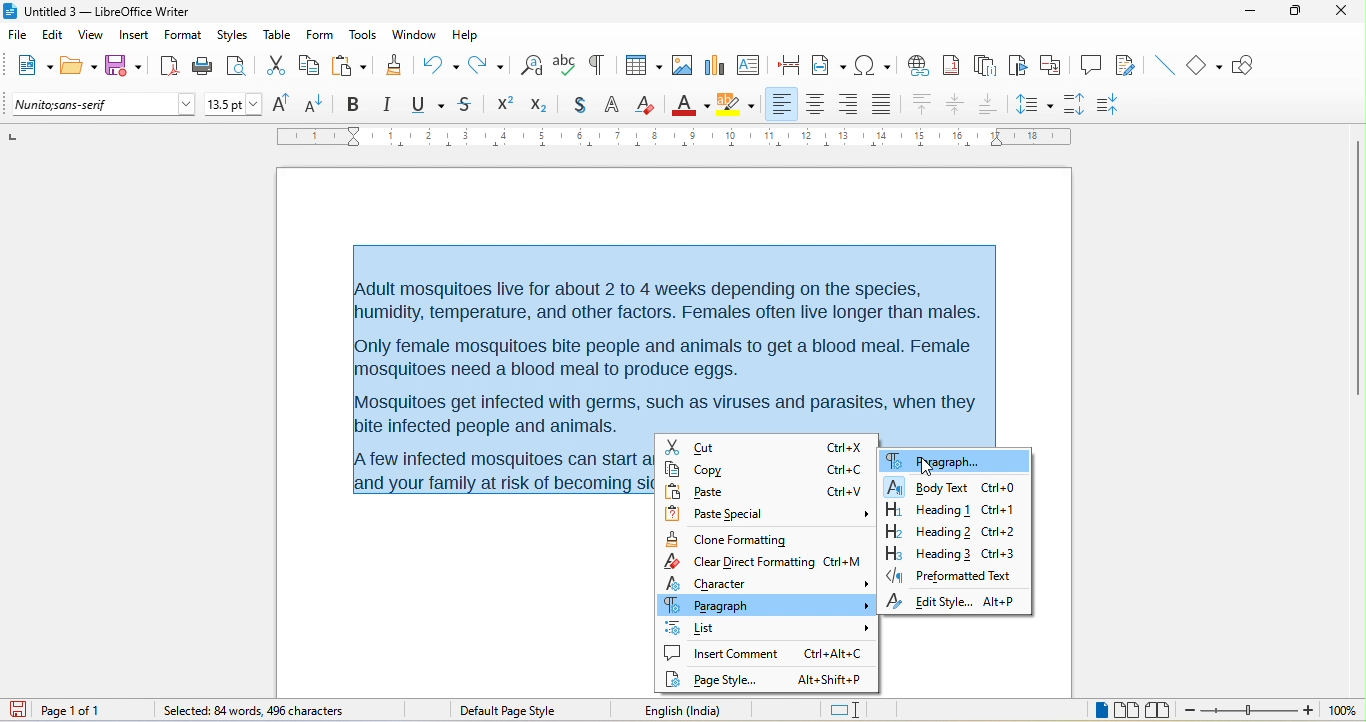  I want to click on view, so click(91, 38).